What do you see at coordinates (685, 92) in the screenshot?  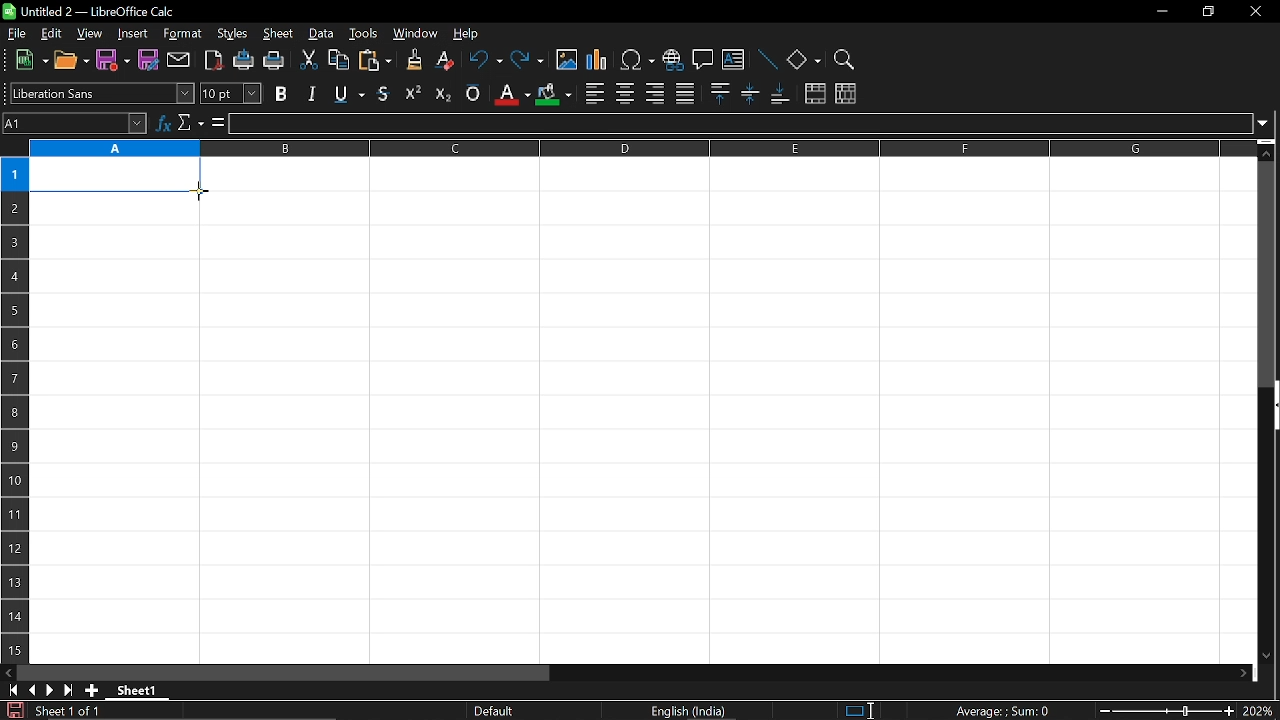 I see `justified` at bounding box center [685, 92].